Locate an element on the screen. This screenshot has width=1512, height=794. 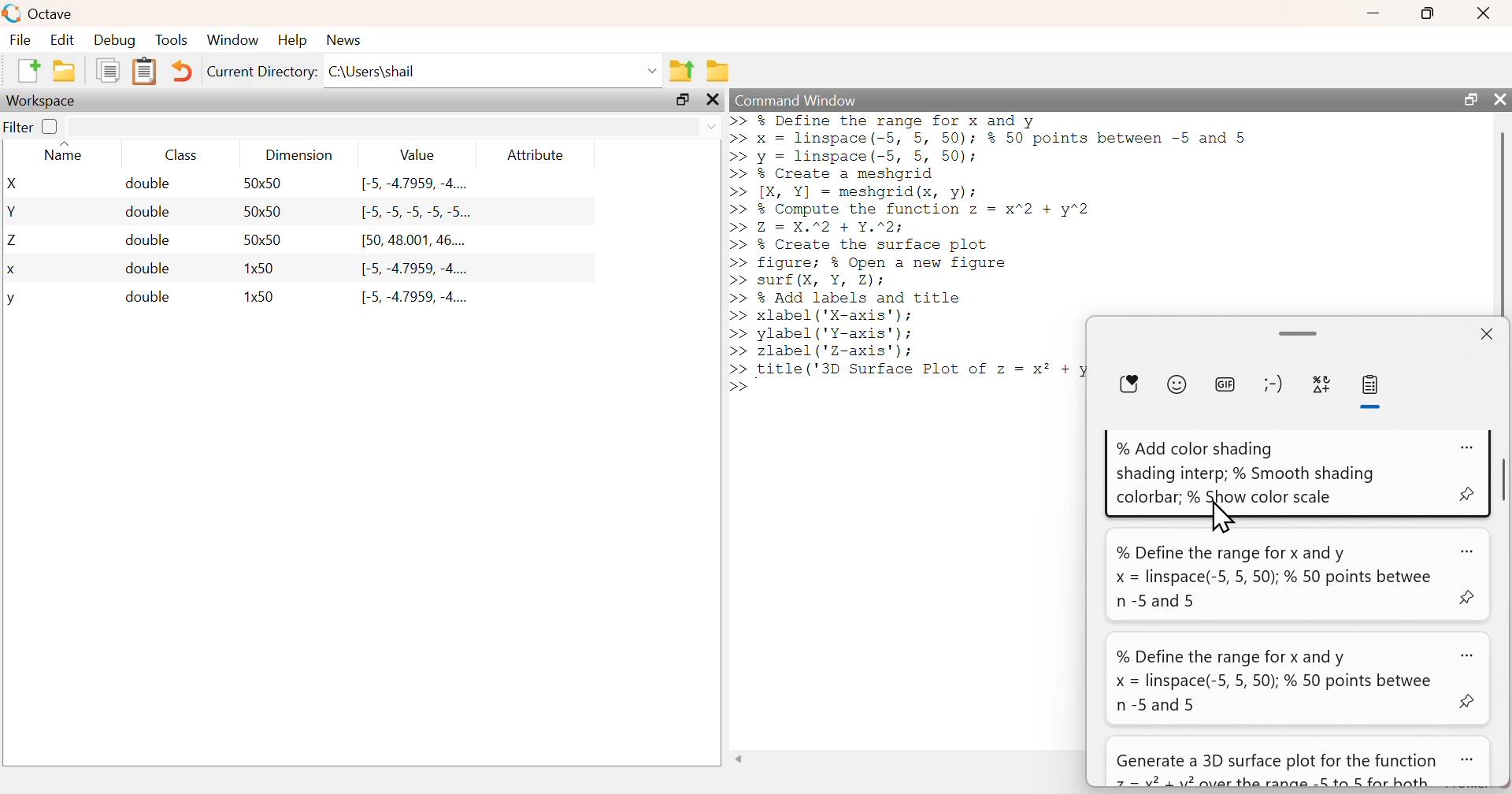
50x50 is located at coordinates (263, 210).